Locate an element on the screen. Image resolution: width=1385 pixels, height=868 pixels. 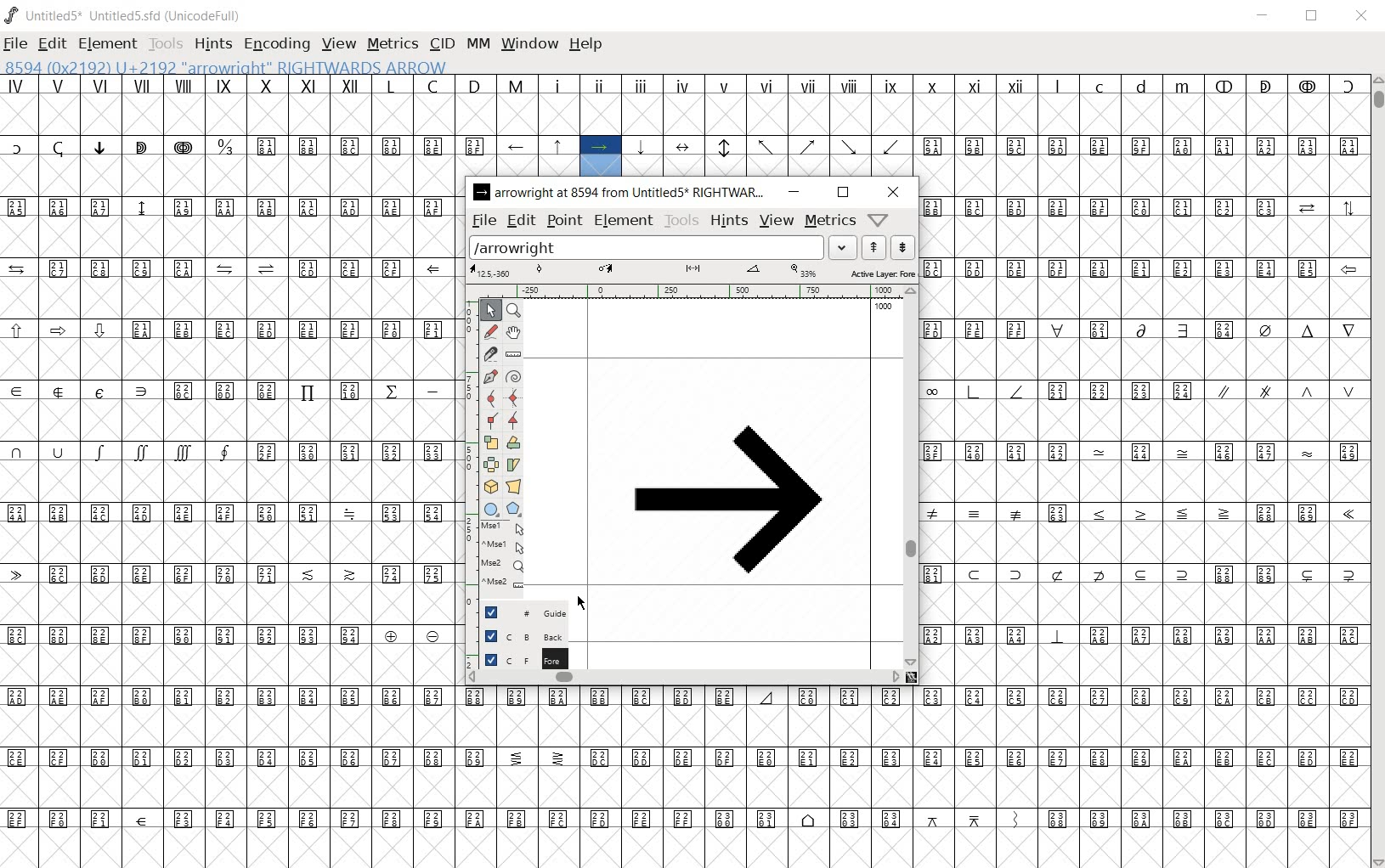
ELEMENT is located at coordinates (109, 43).